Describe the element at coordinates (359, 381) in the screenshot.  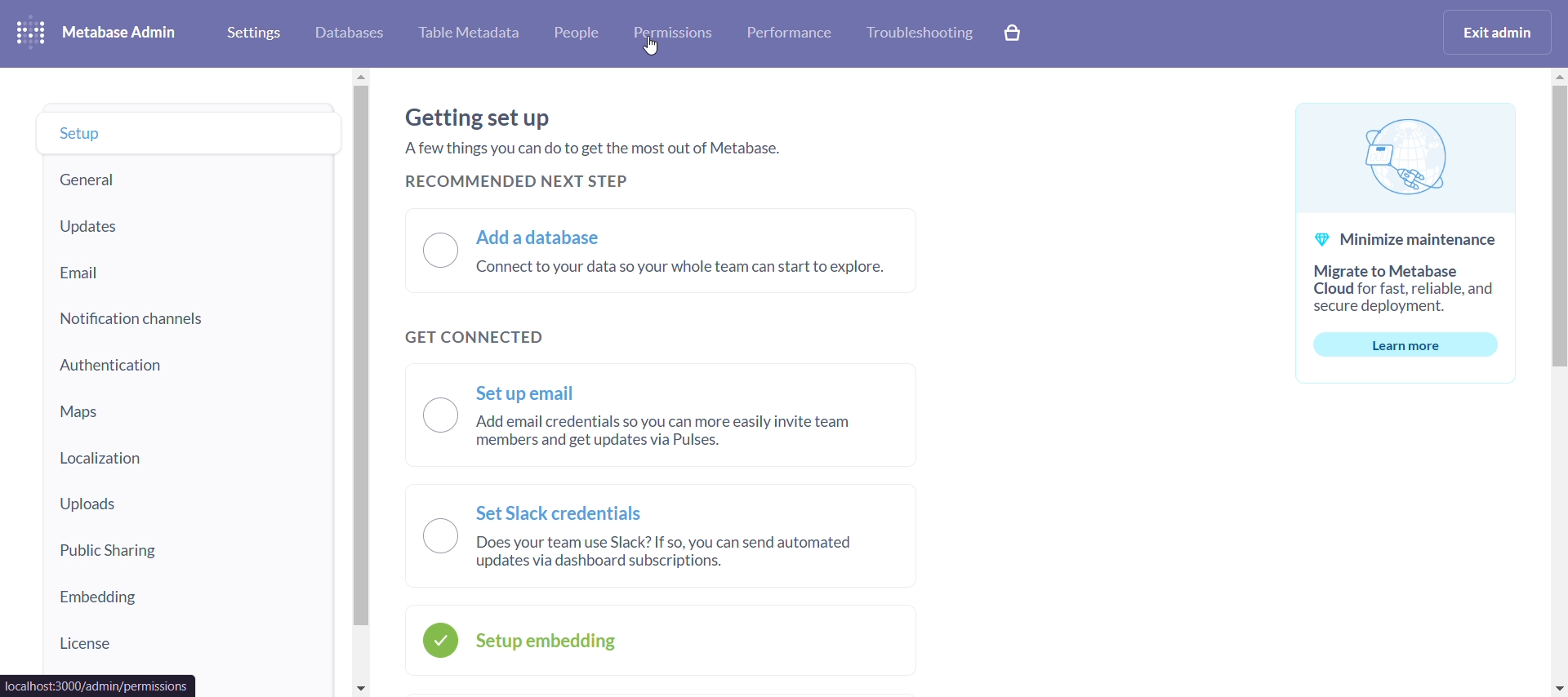
I see `vertical scroll bar` at that location.